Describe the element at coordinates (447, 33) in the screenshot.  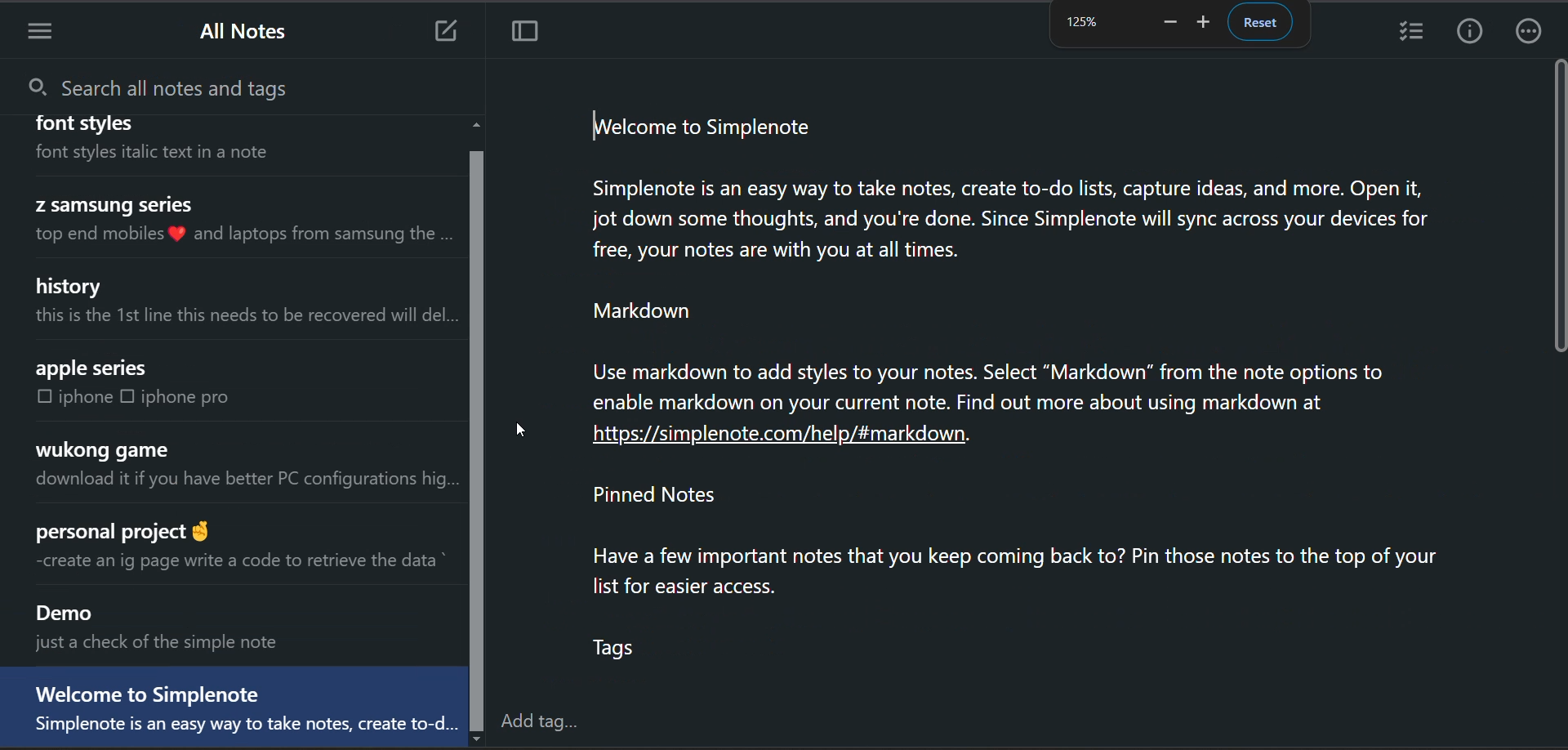
I see `add new note` at that location.